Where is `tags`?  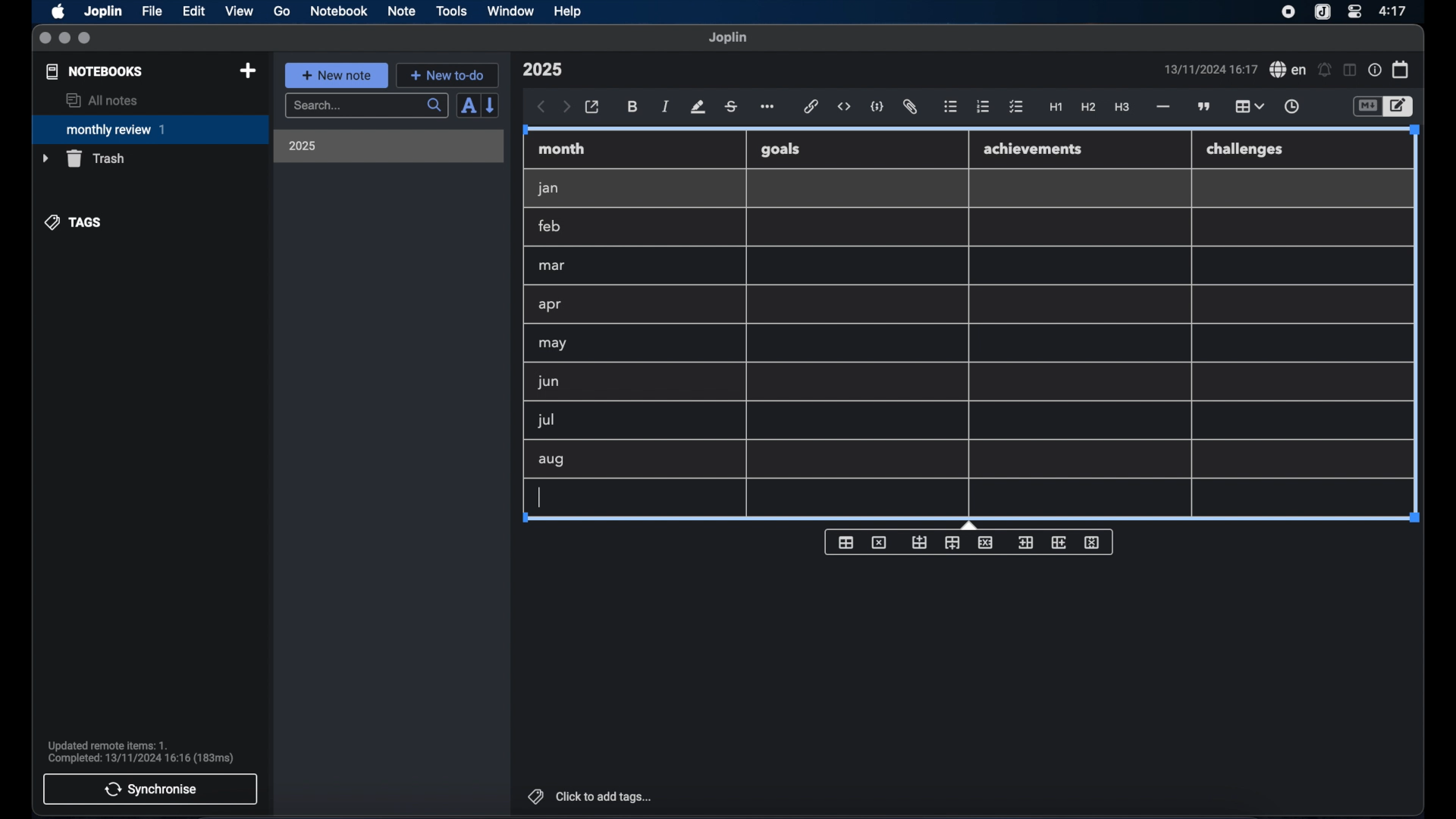
tags is located at coordinates (74, 222).